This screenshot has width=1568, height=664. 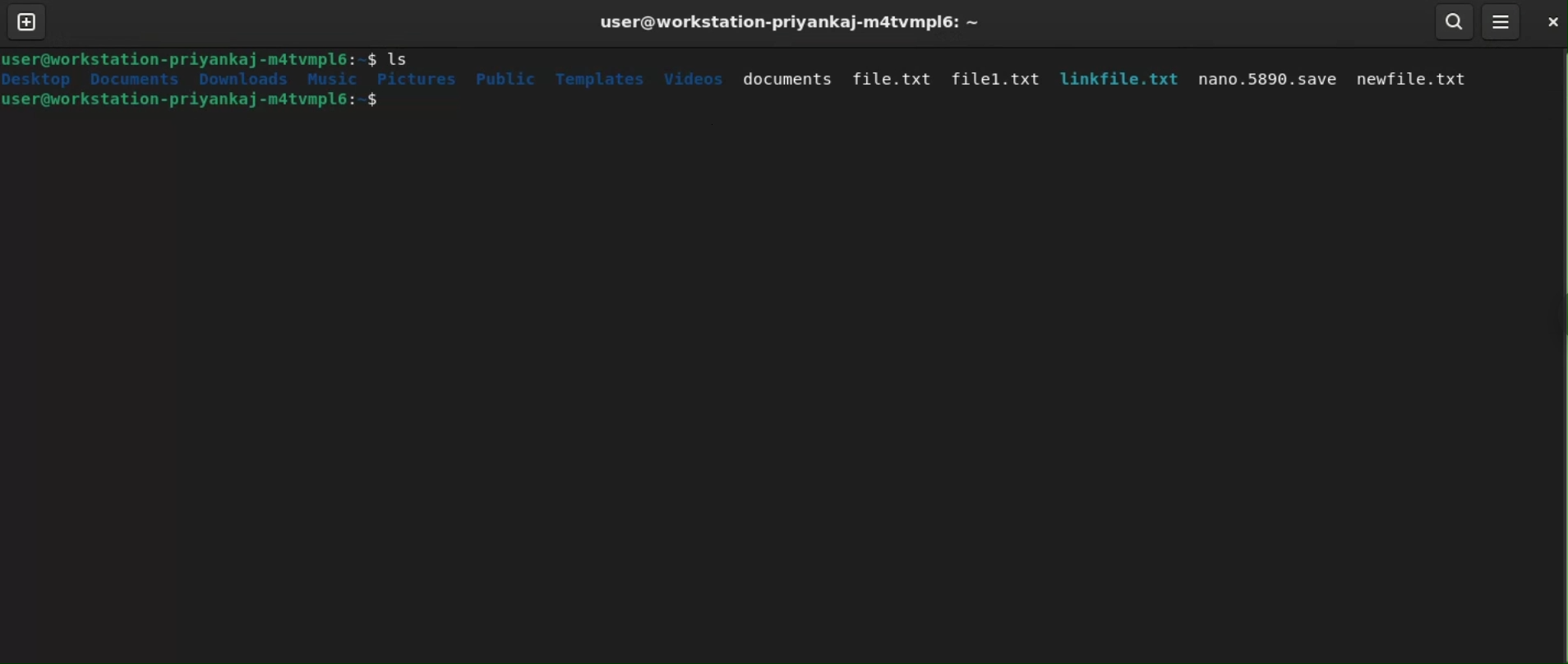 What do you see at coordinates (602, 81) in the screenshot?
I see `templates` at bounding box center [602, 81].